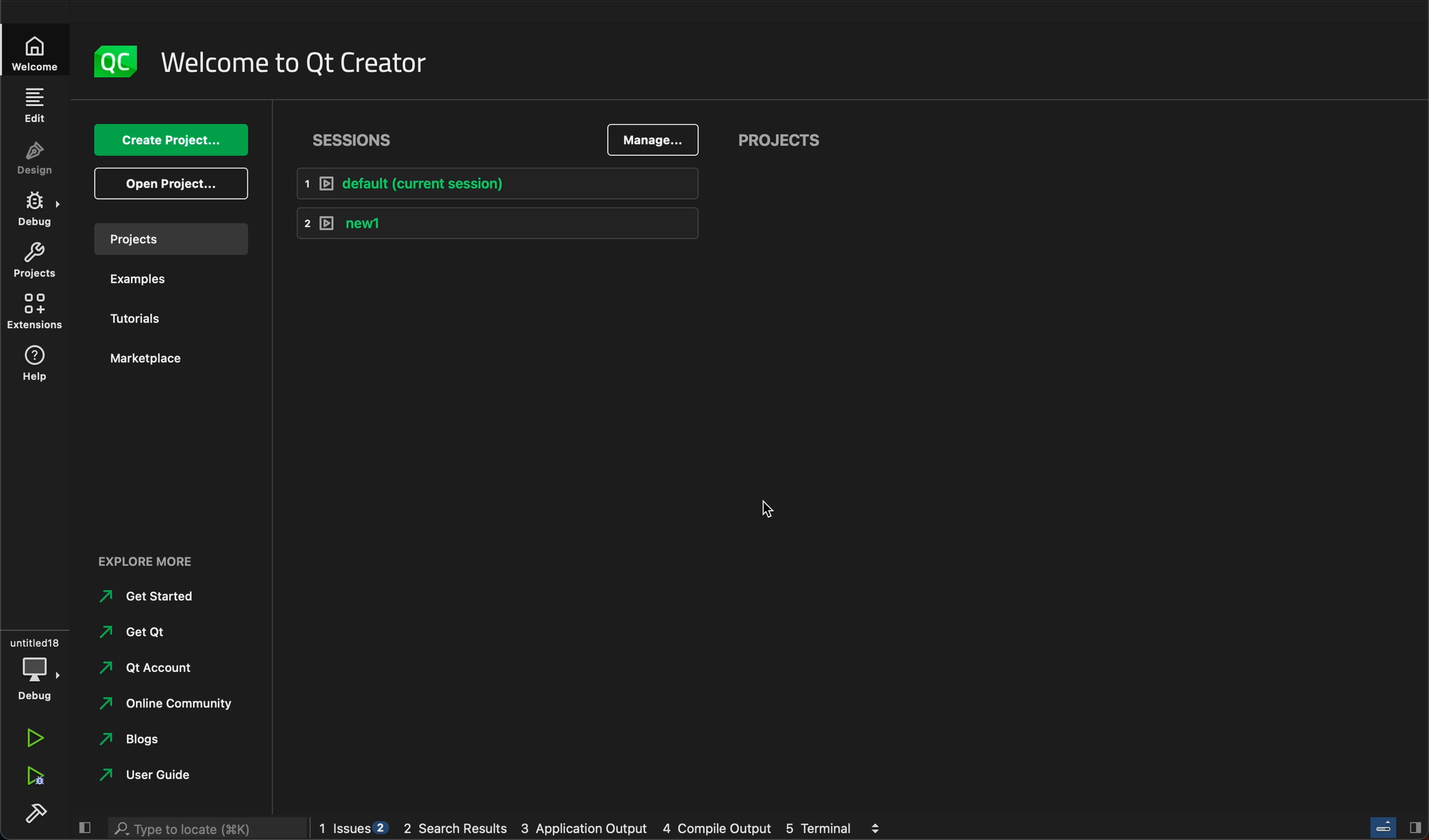  I want to click on close slide bar, so click(84, 829).